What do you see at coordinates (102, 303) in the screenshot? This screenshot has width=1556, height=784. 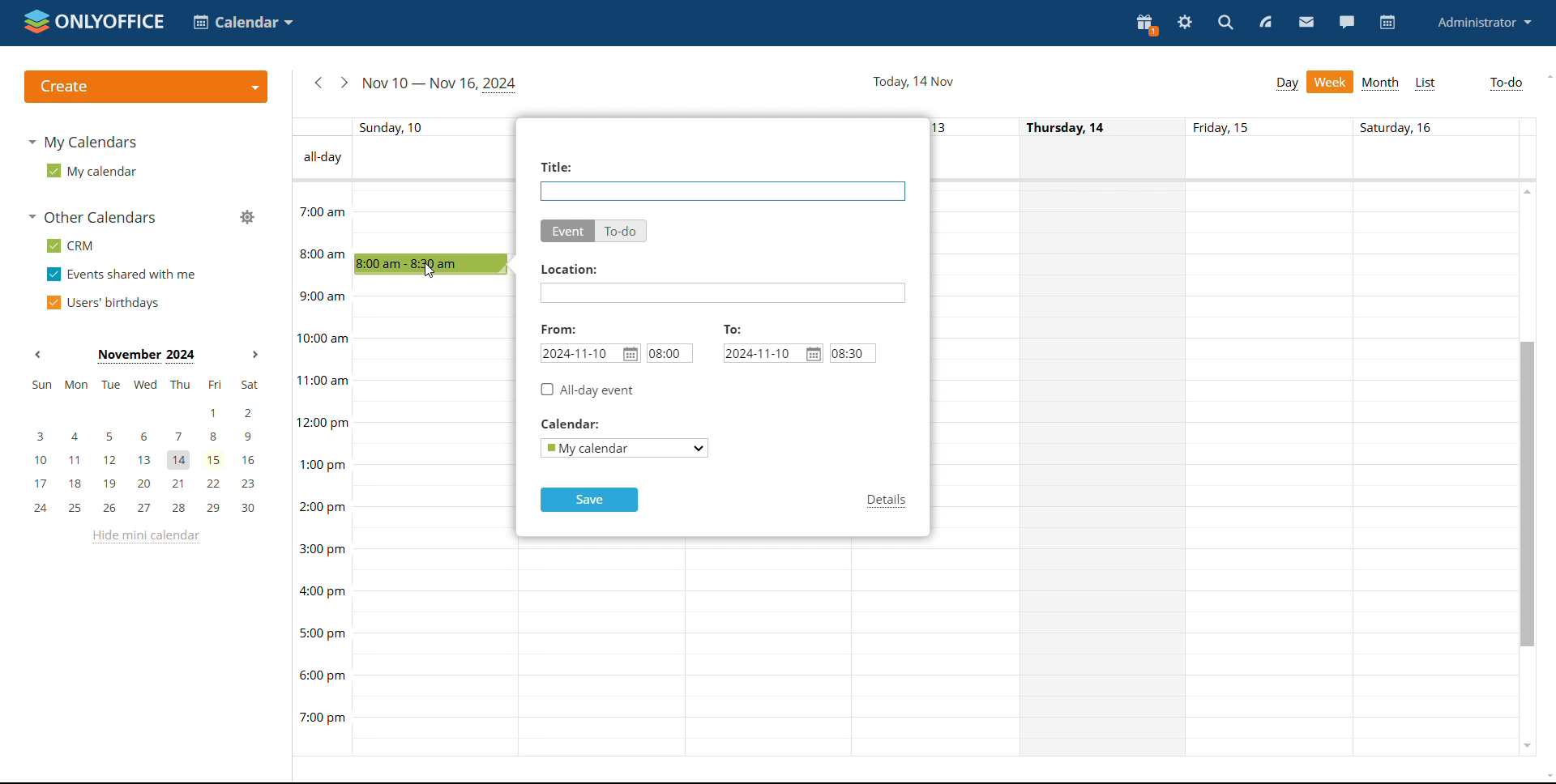 I see `users' birthdays` at bounding box center [102, 303].